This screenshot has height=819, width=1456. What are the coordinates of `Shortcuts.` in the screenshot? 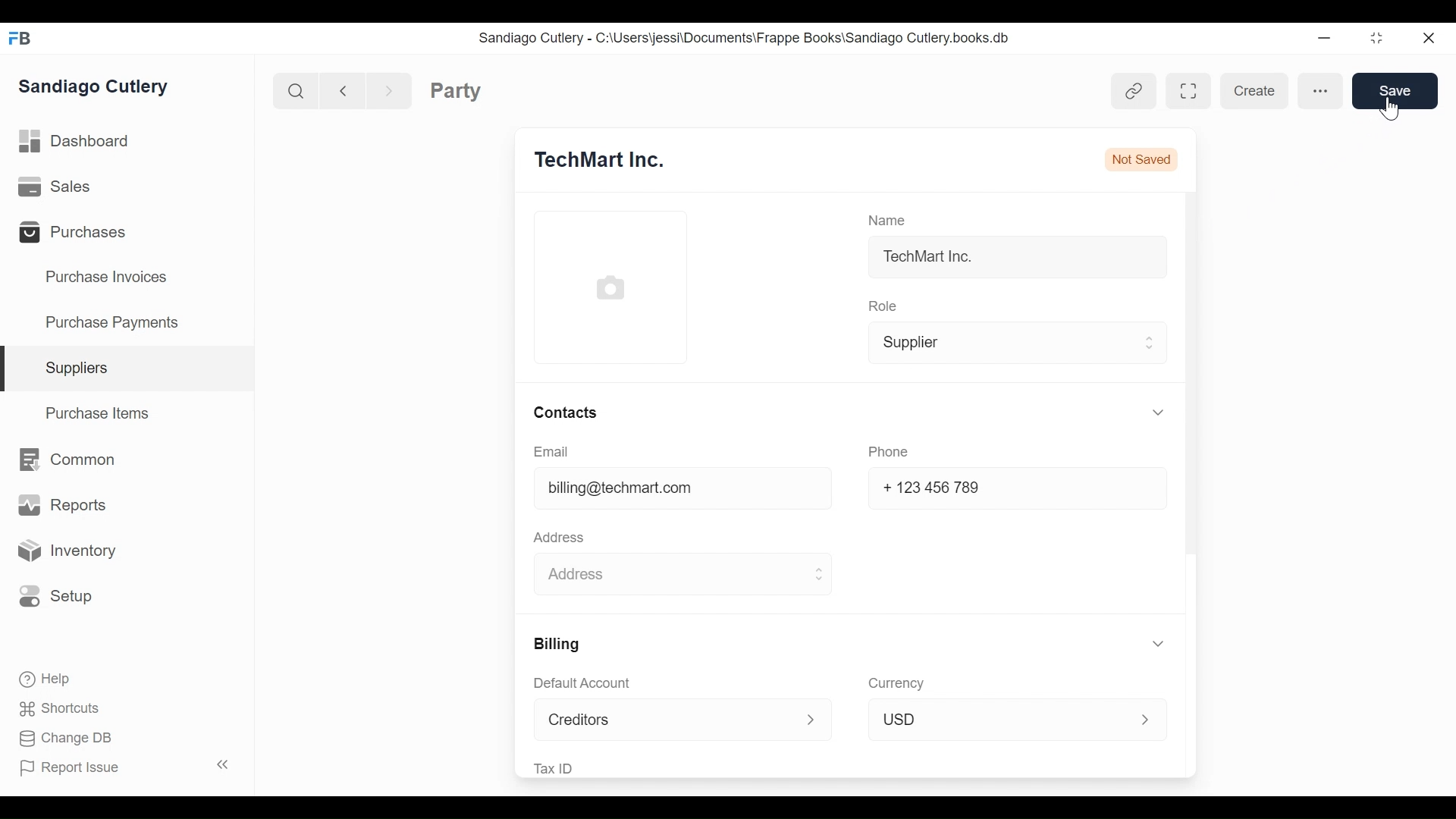 It's located at (61, 709).